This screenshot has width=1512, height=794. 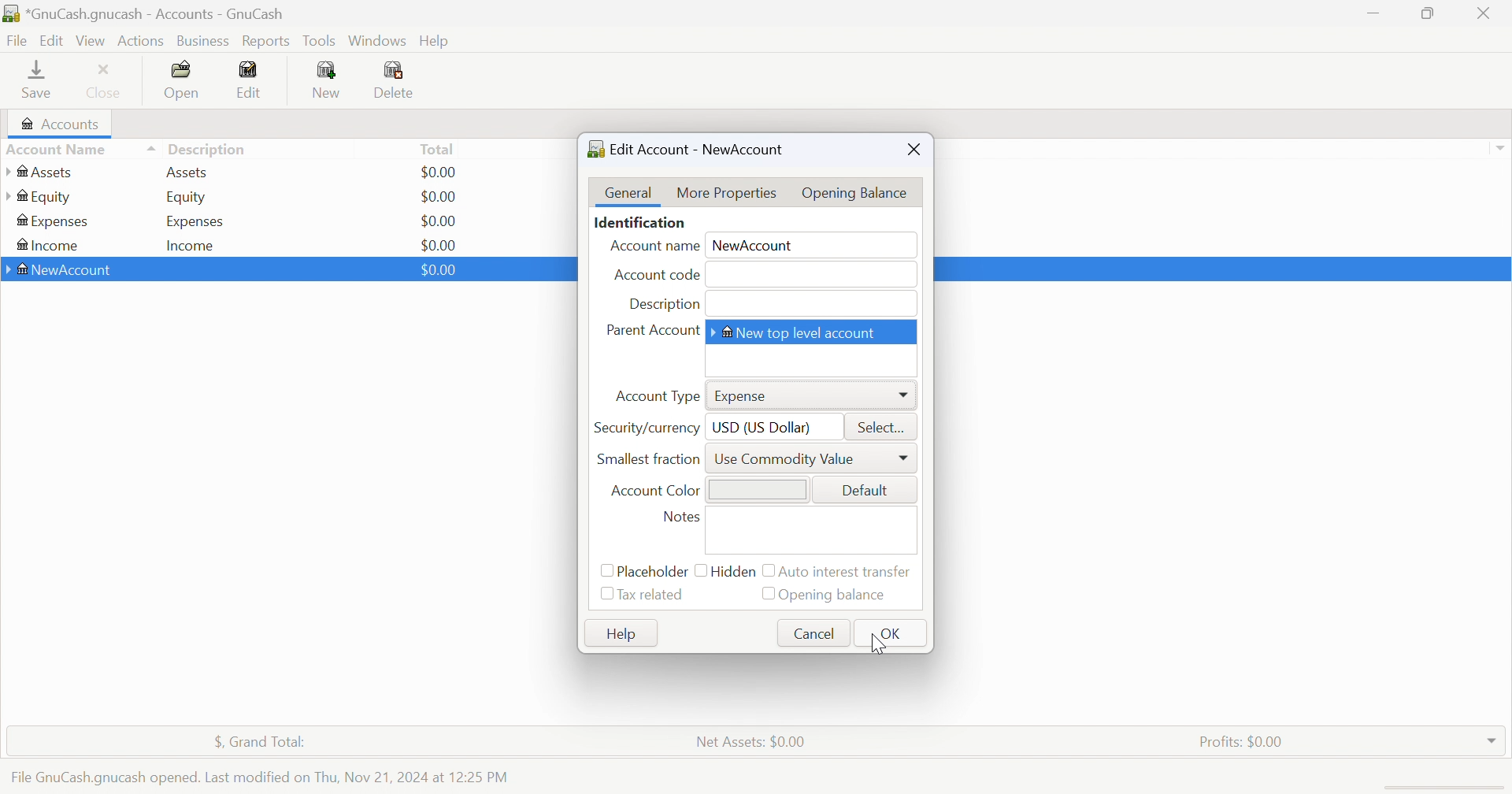 I want to click on Close, so click(x=1484, y=13).